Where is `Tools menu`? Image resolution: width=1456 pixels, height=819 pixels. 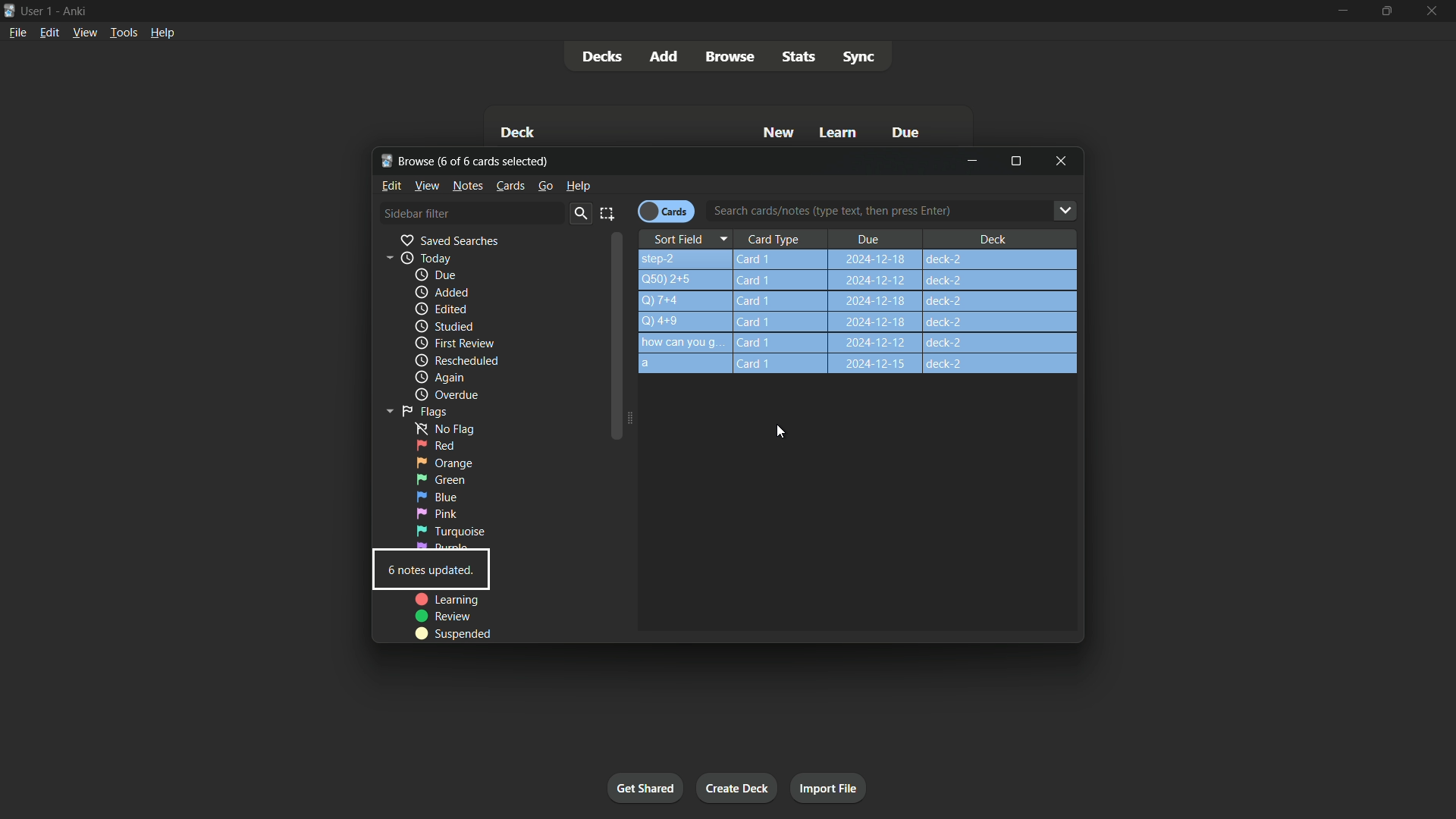
Tools menu is located at coordinates (121, 33).